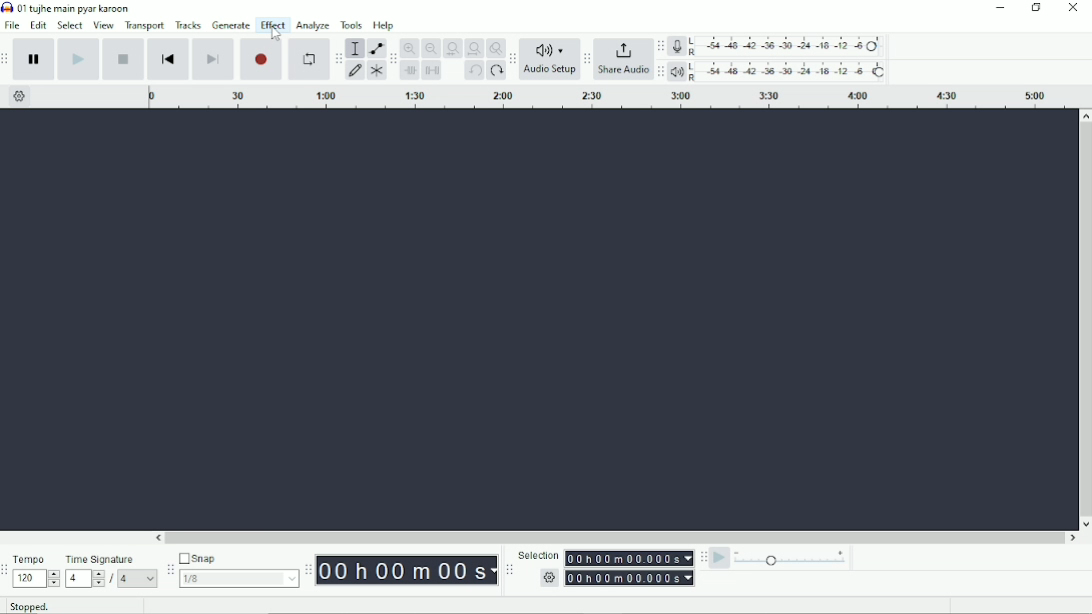  Describe the element at coordinates (392, 59) in the screenshot. I see `Audacity edit toolbar` at that location.